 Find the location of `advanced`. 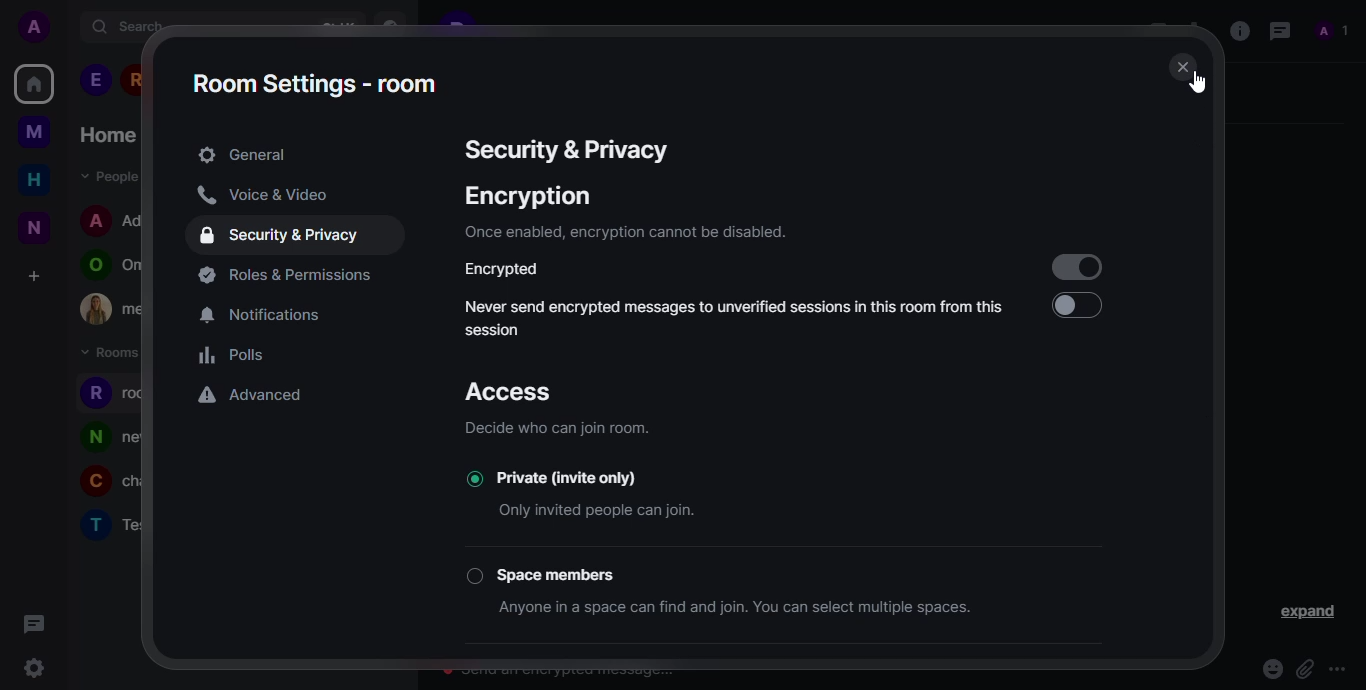

advanced is located at coordinates (253, 397).